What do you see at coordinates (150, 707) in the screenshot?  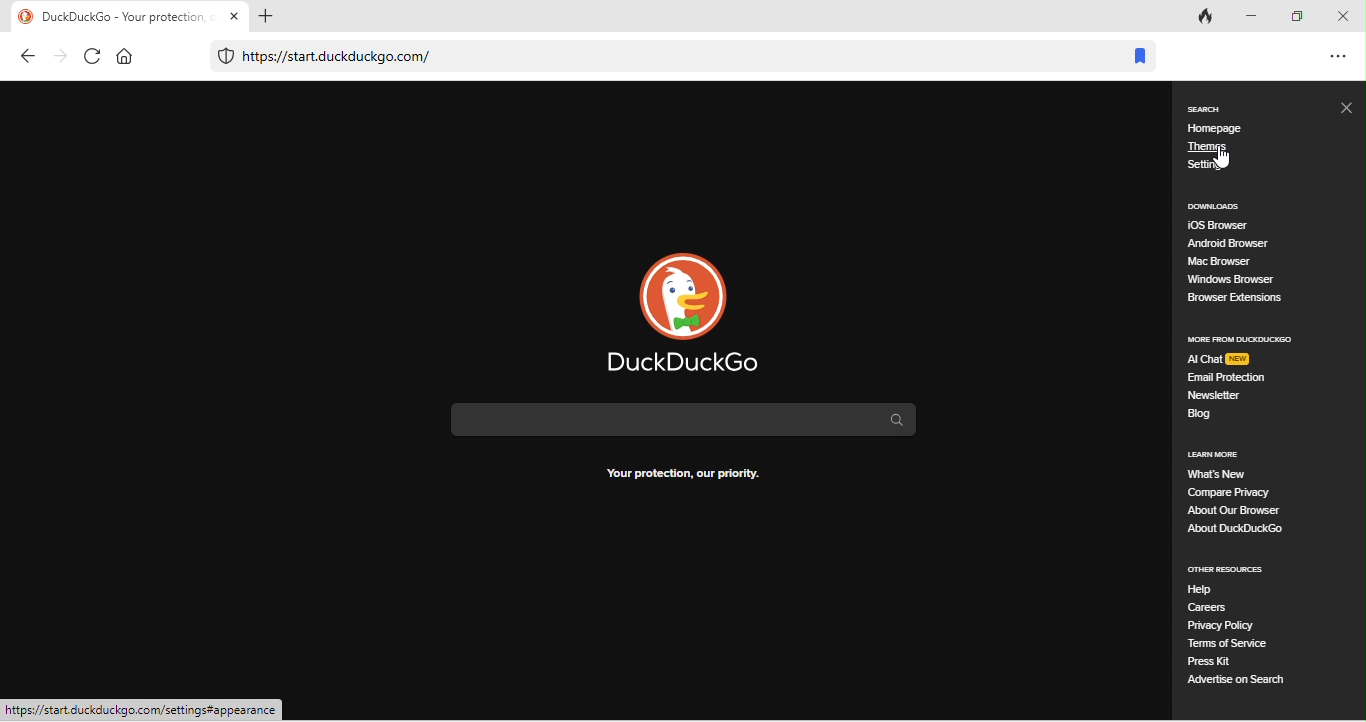 I see `web link` at bounding box center [150, 707].